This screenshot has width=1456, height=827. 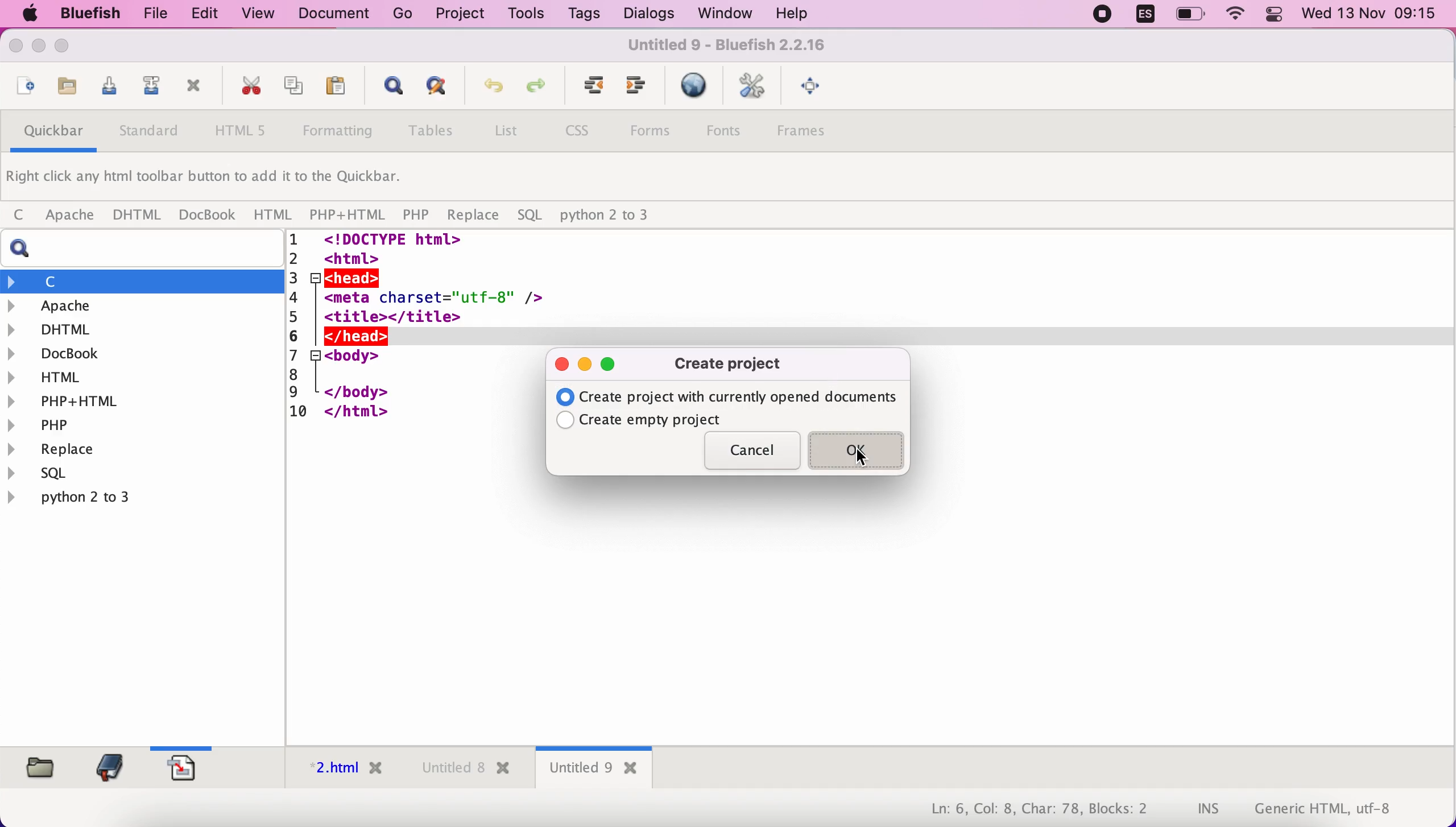 What do you see at coordinates (27, 15) in the screenshot?
I see `mac logo` at bounding box center [27, 15].